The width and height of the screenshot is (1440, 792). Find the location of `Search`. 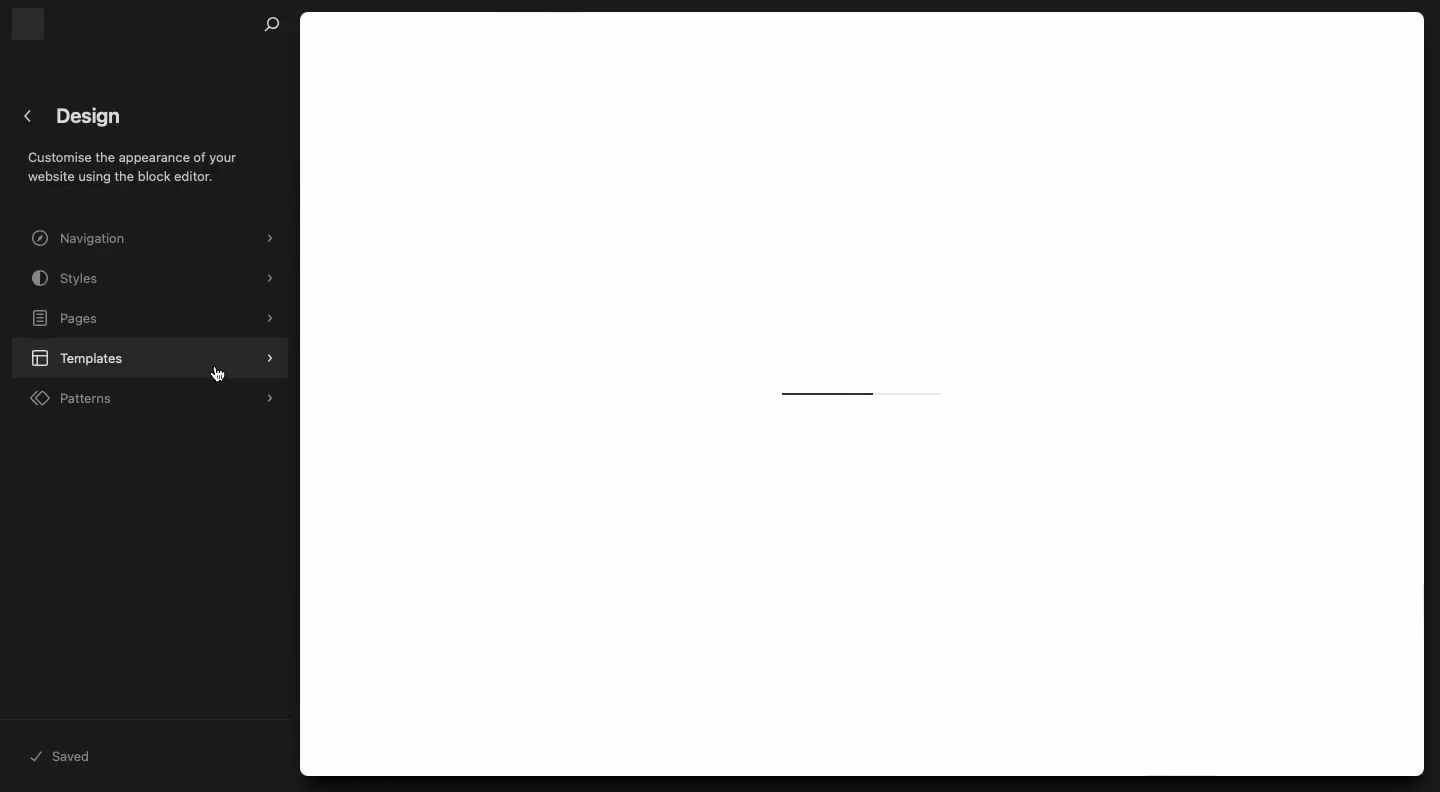

Search is located at coordinates (273, 24).